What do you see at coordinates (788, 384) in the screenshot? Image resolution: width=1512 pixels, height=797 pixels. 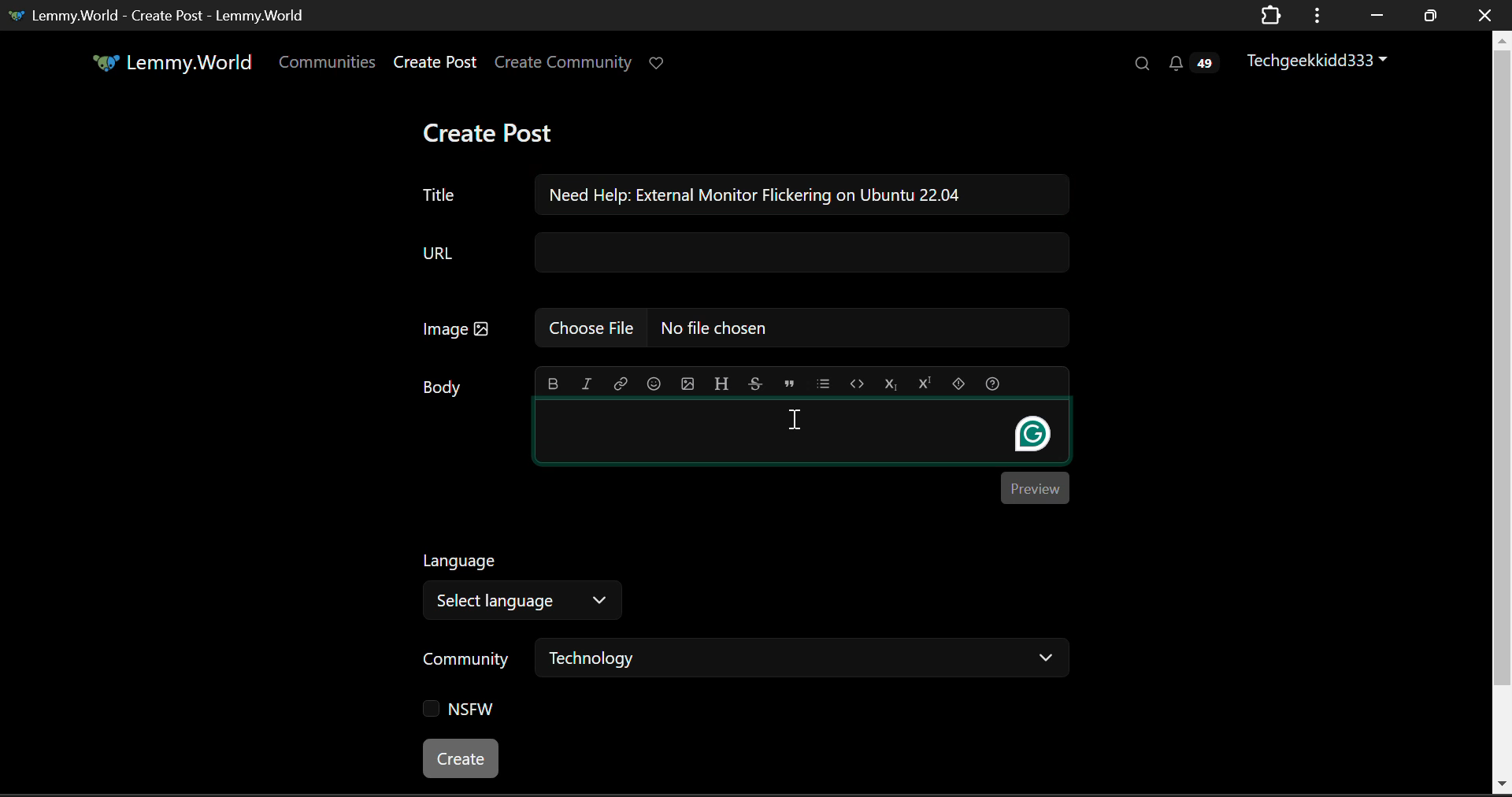 I see `Quote` at bounding box center [788, 384].